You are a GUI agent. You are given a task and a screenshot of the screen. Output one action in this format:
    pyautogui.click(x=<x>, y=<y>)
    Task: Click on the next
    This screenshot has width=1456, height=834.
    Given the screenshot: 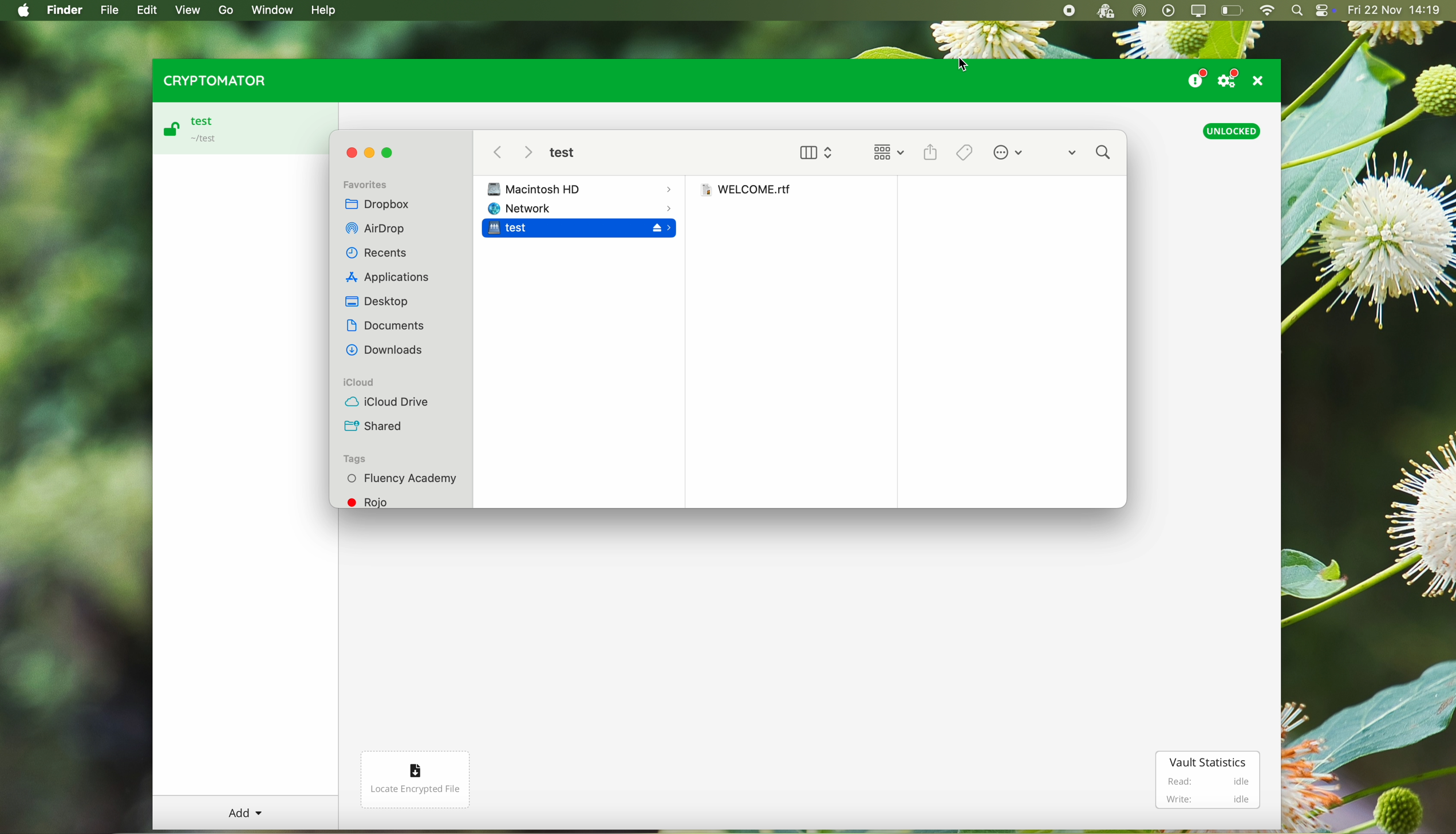 What is the action you would take?
    pyautogui.click(x=527, y=154)
    